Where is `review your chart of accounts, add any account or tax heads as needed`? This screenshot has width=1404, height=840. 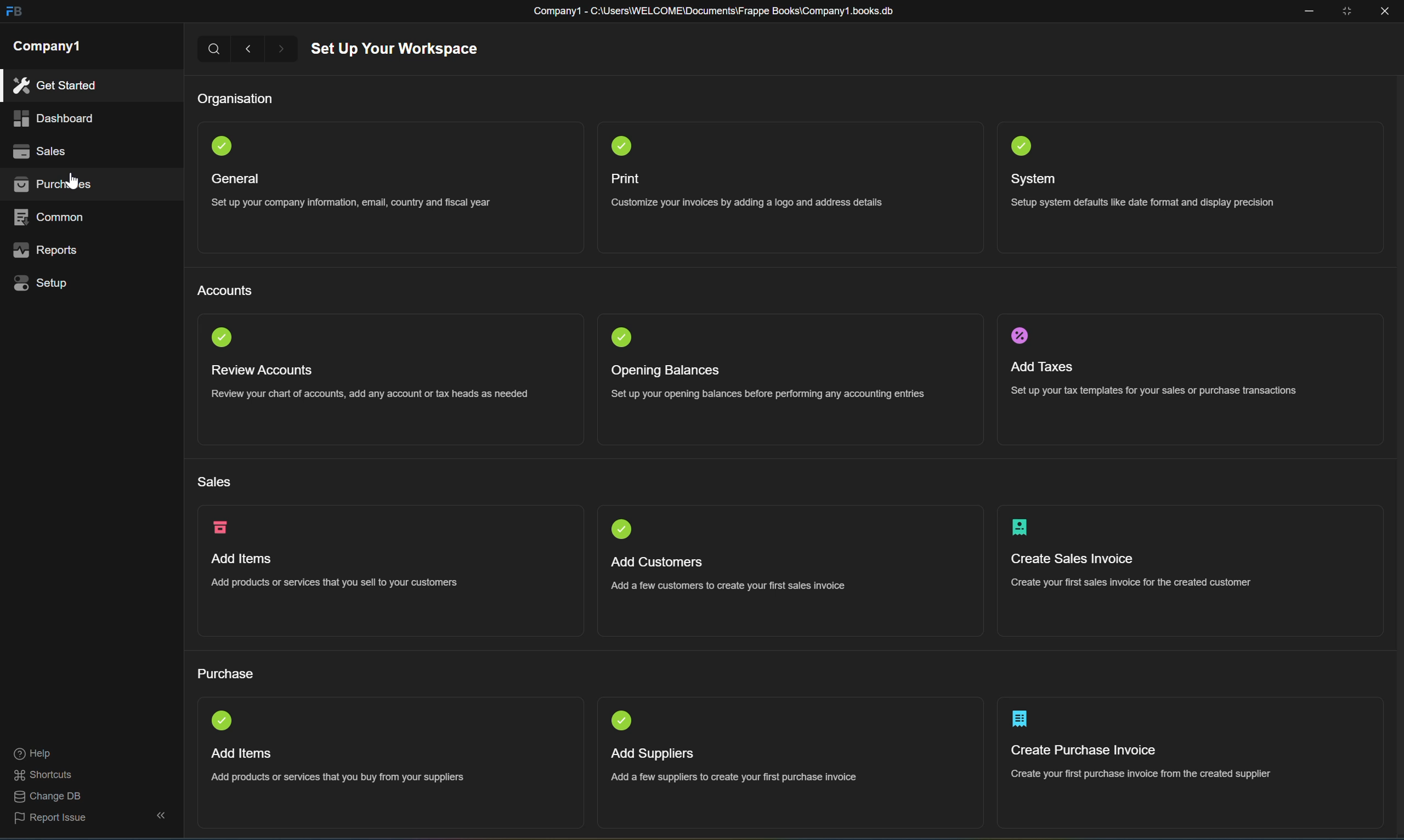 review your chart of accounts, add any account or tax heads as needed is located at coordinates (370, 395).